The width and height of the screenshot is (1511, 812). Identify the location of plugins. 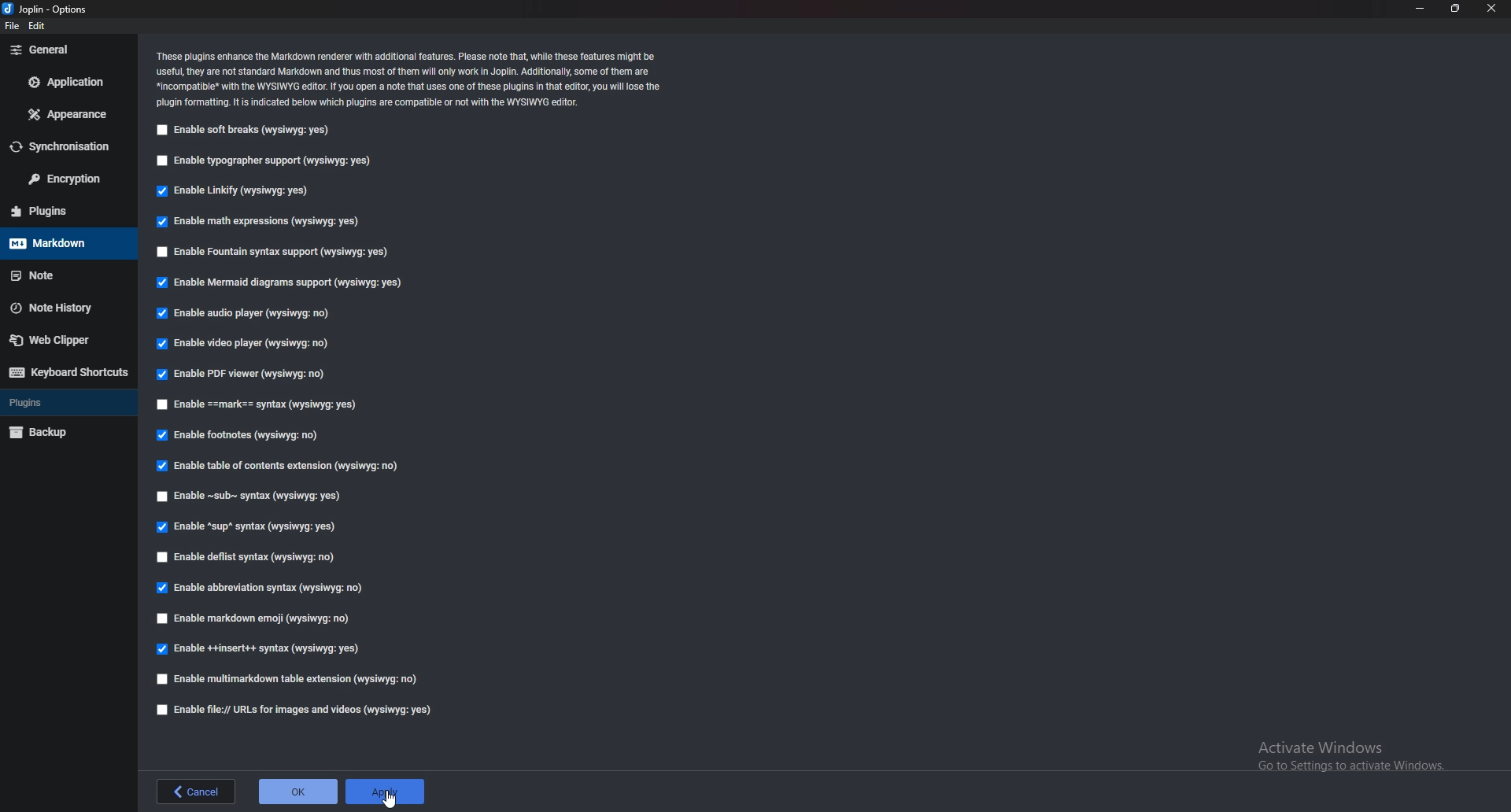
(68, 403).